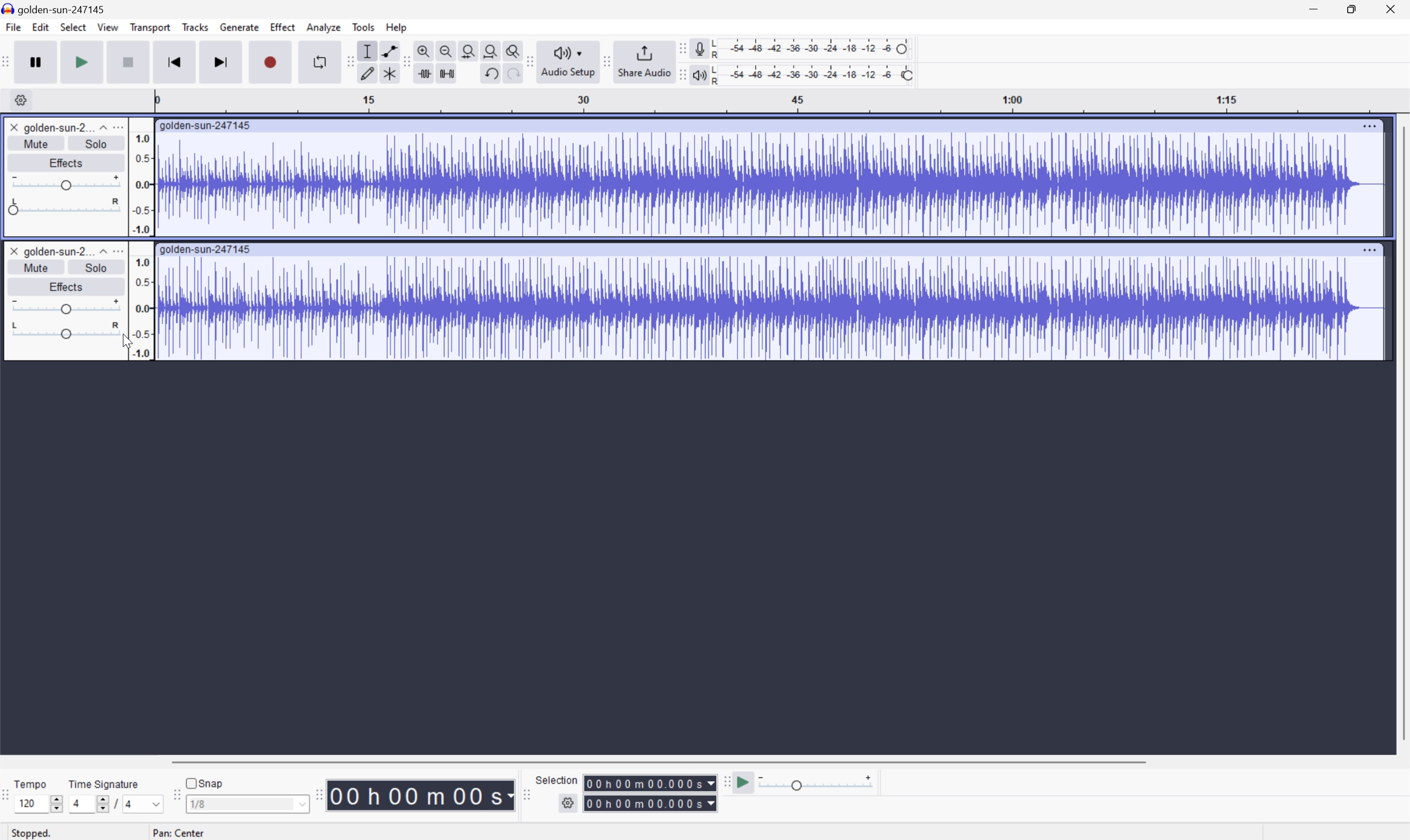 This screenshot has width=1410, height=840. Describe the element at coordinates (566, 59) in the screenshot. I see `Audacity audio setup toolbar` at that location.